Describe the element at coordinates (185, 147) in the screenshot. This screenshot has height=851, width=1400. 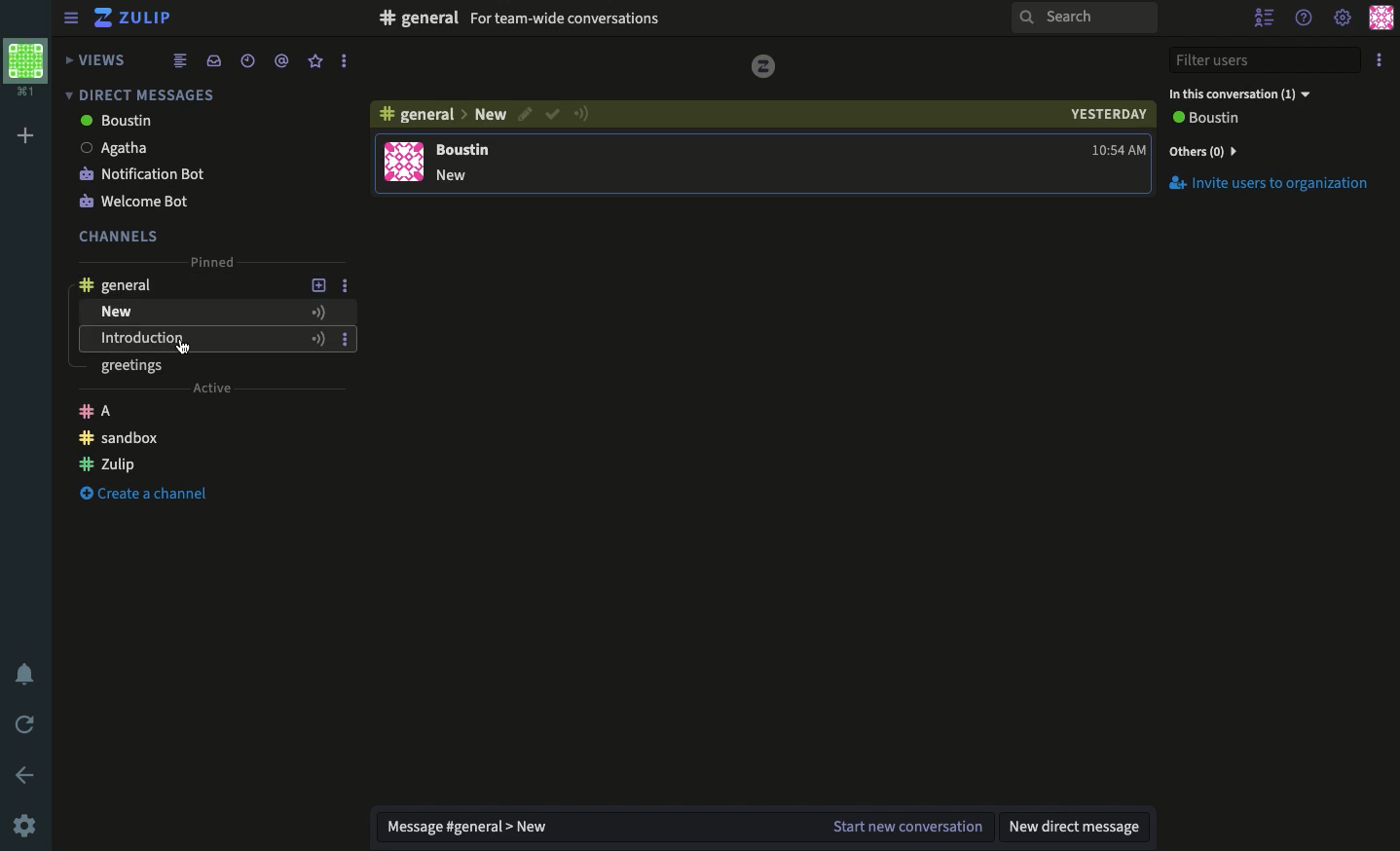
I see `Agatha` at that location.